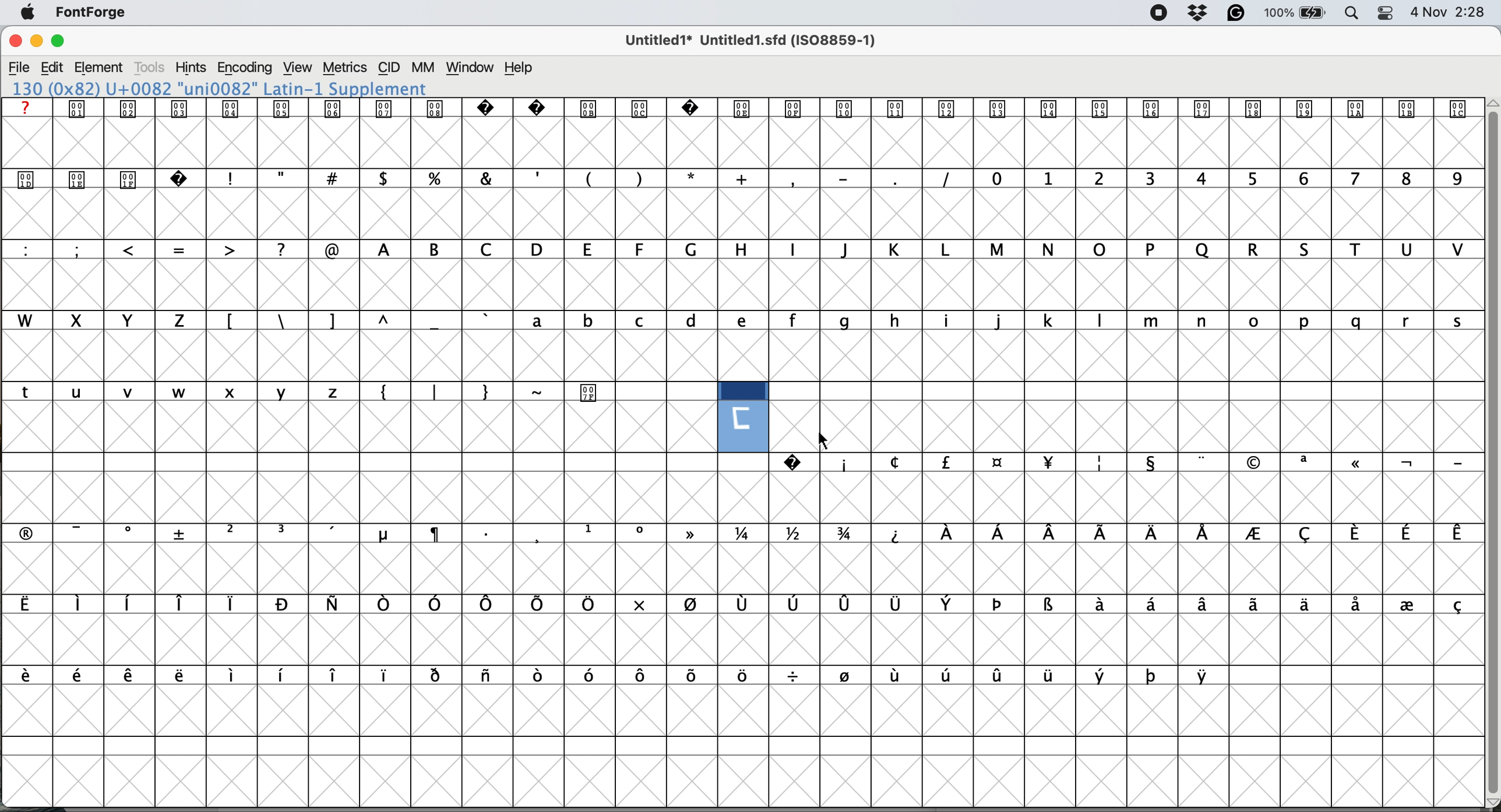  What do you see at coordinates (1200, 12) in the screenshot?
I see `dropbox` at bounding box center [1200, 12].